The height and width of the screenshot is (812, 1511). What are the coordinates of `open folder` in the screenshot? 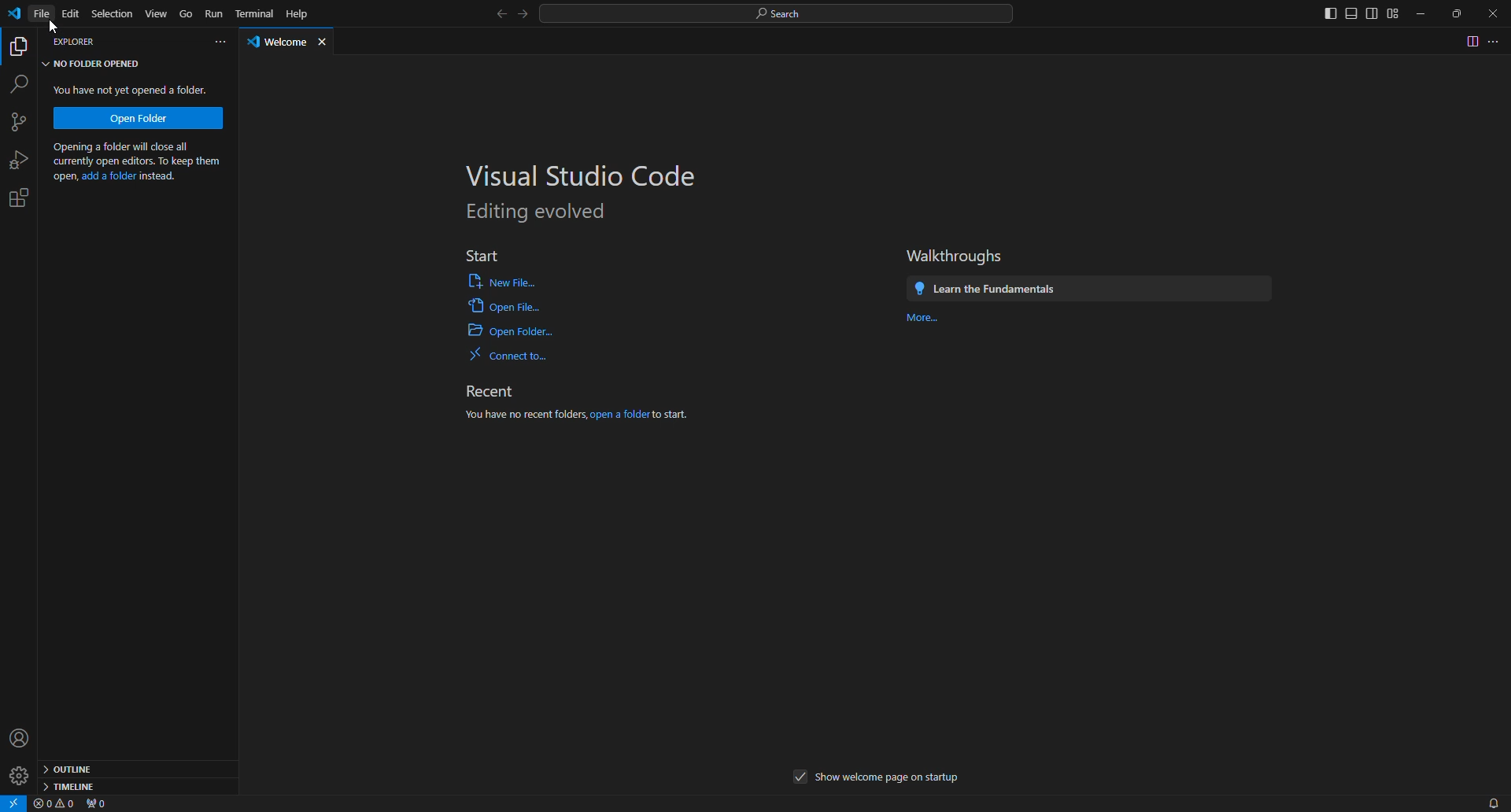 It's located at (511, 331).